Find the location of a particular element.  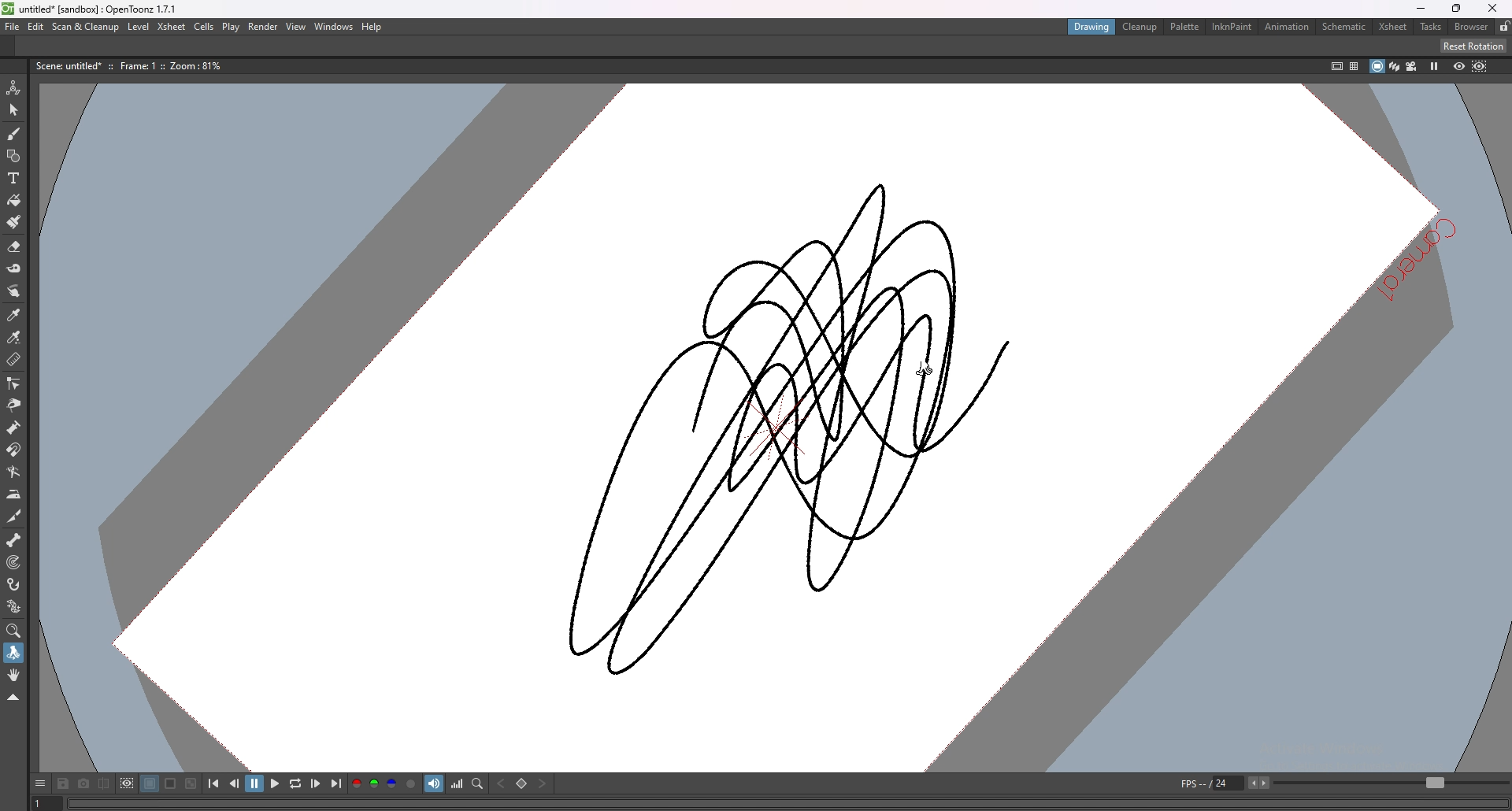

render is located at coordinates (263, 26).